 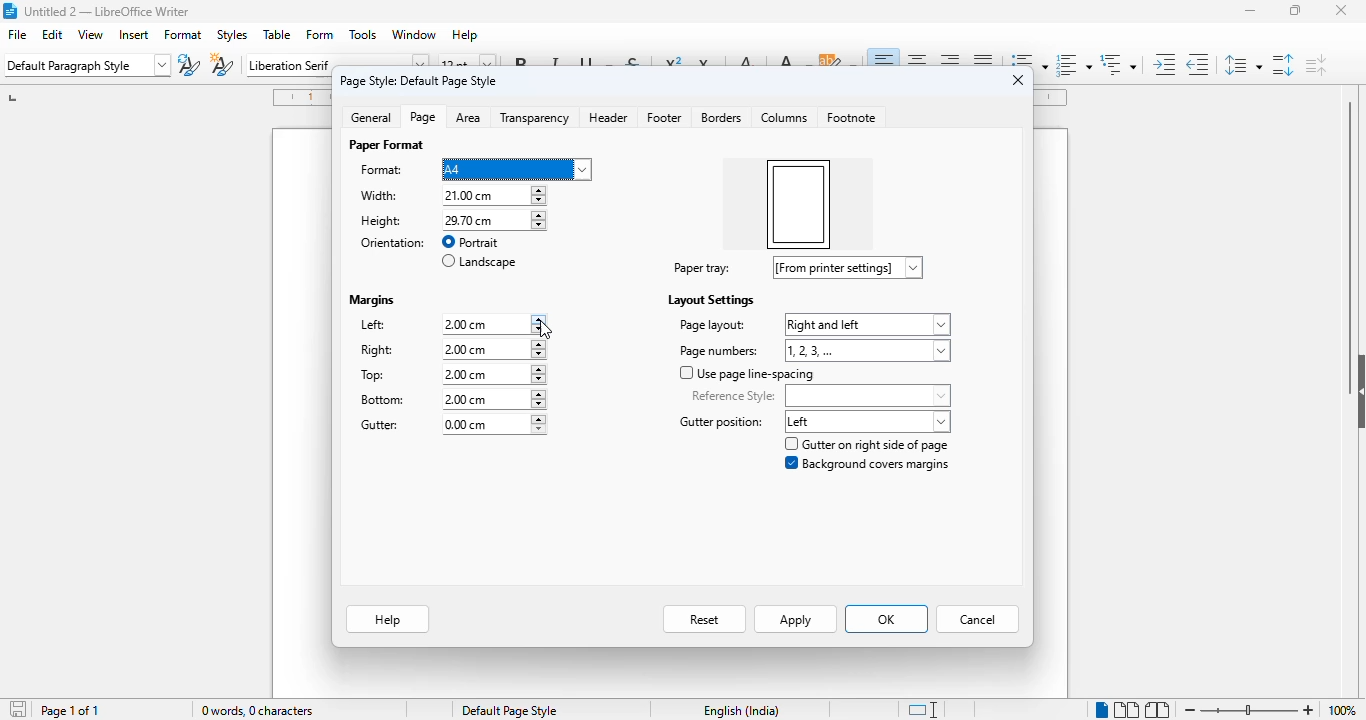 What do you see at coordinates (721, 117) in the screenshot?
I see `borders` at bounding box center [721, 117].